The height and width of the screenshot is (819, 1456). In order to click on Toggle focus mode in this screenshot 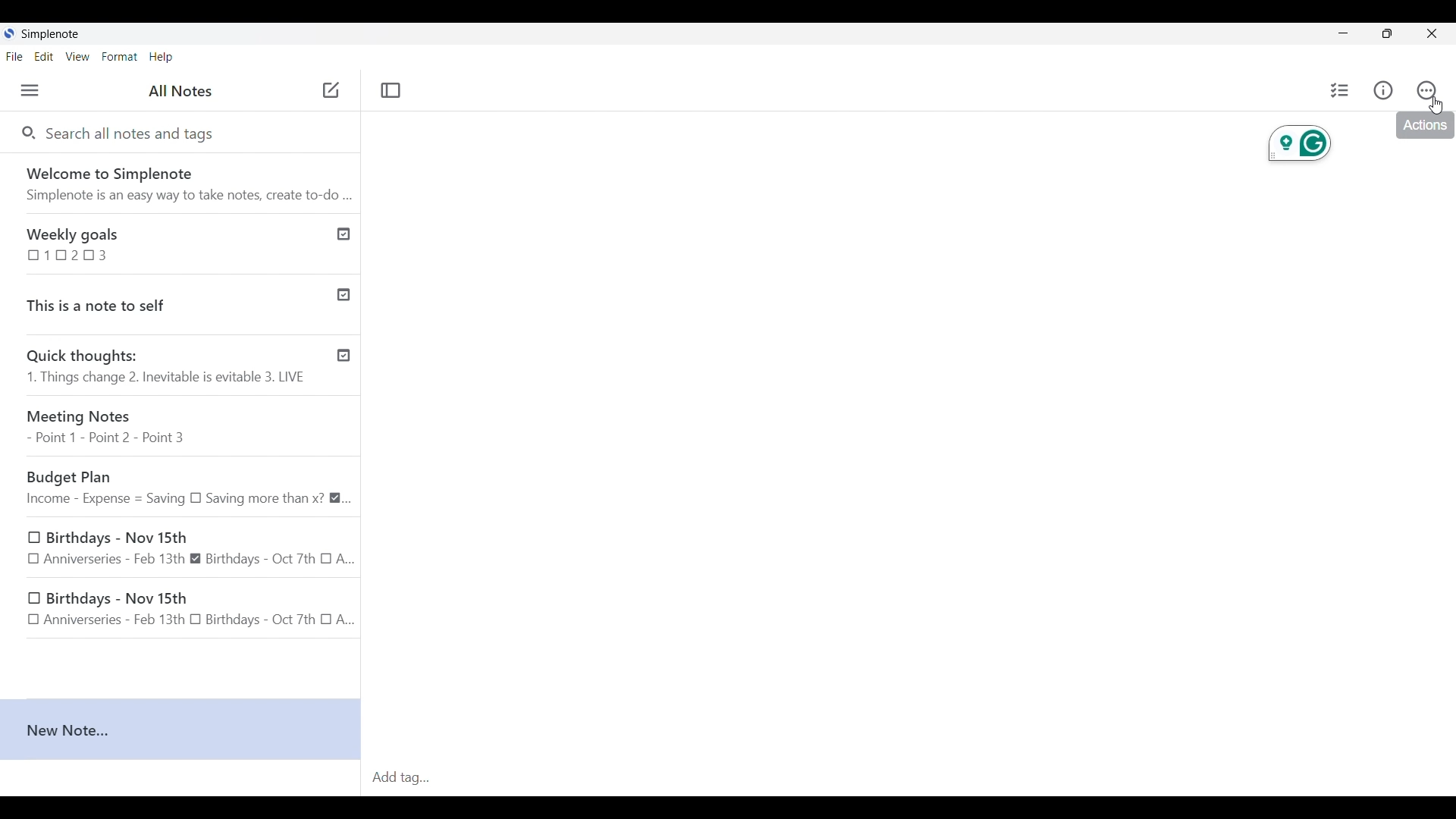, I will do `click(392, 91)`.